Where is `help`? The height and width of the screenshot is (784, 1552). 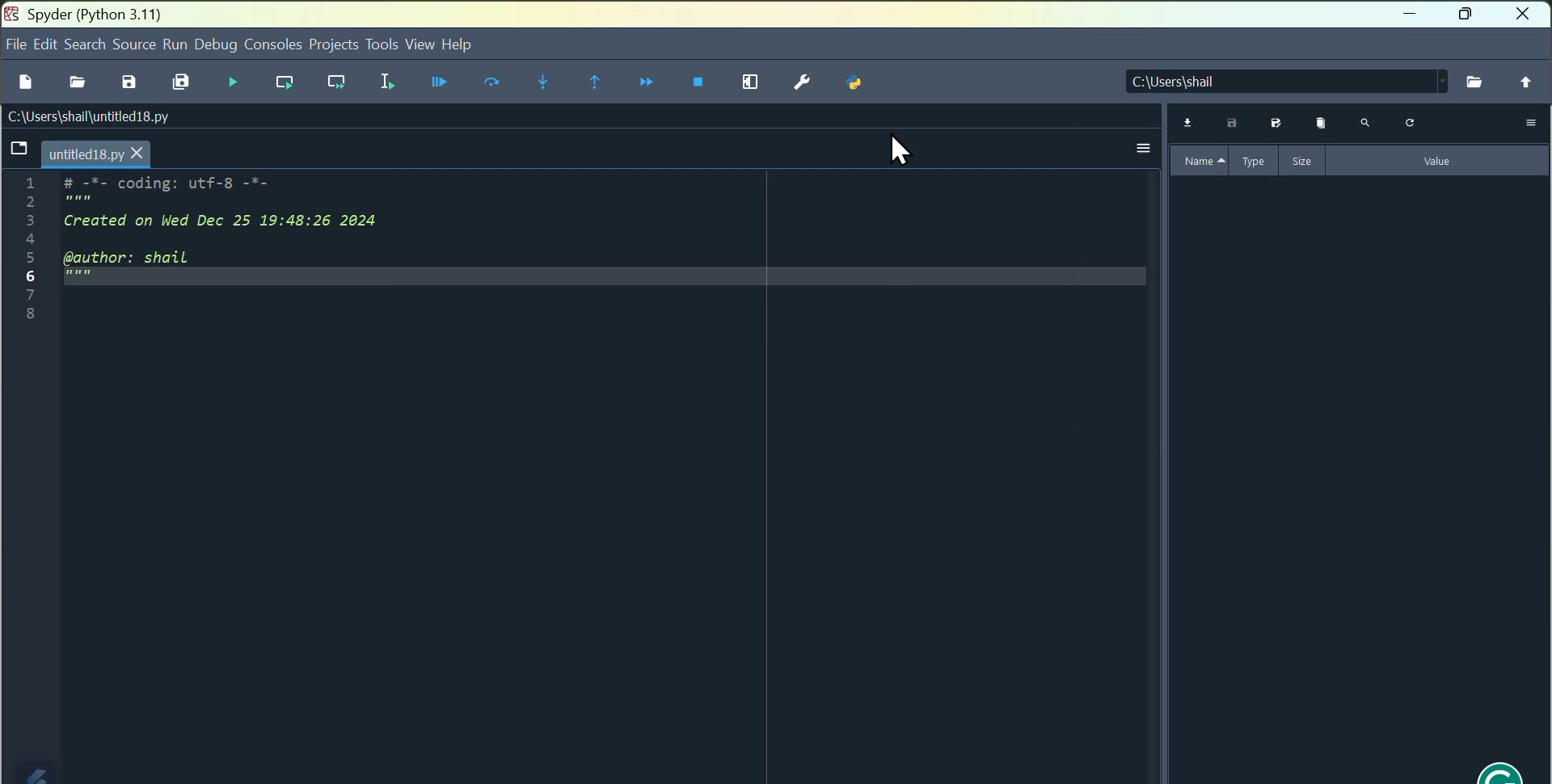
help is located at coordinates (463, 45).